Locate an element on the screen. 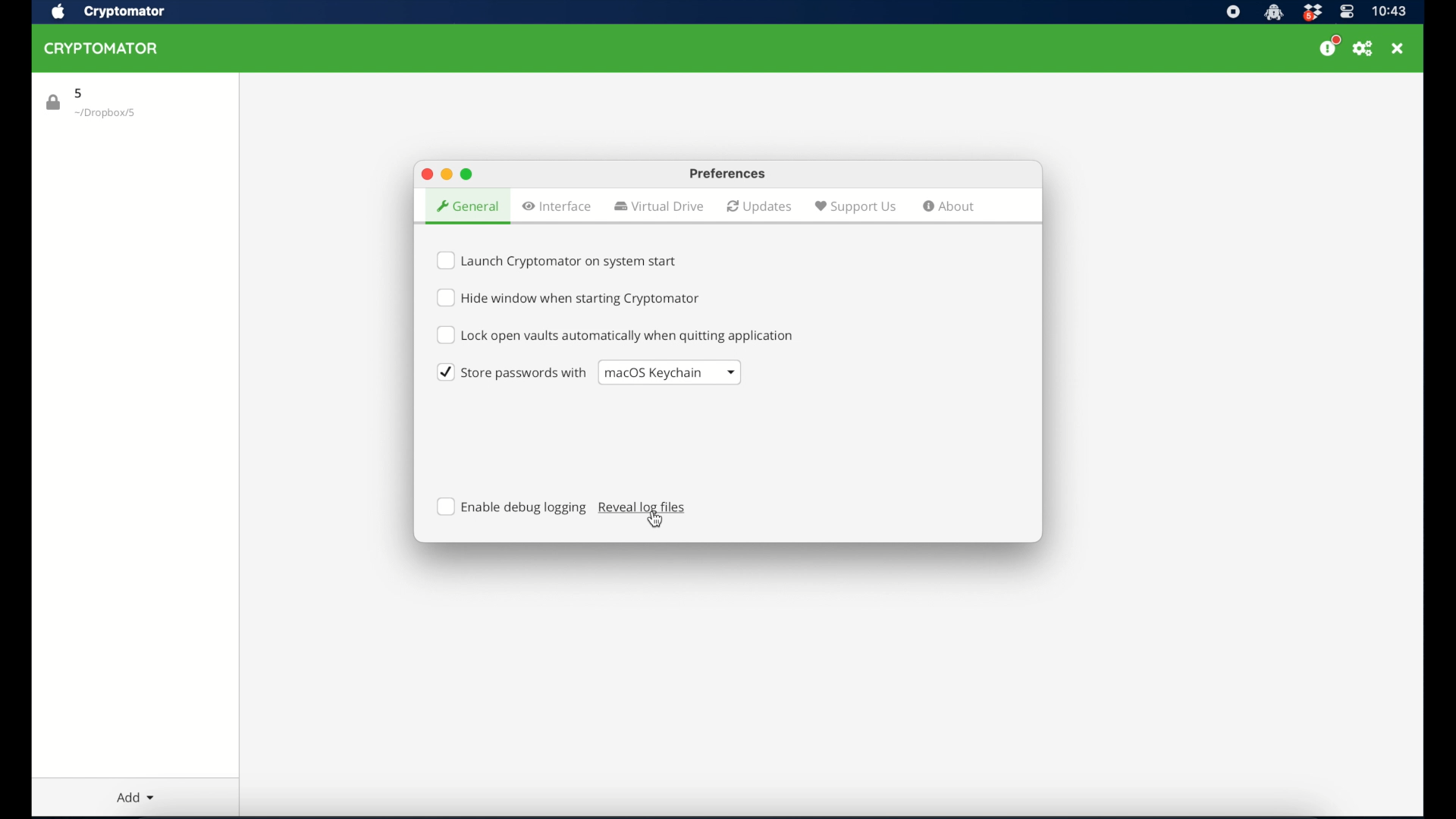 The width and height of the screenshot is (1456, 819). control center is located at coordinates (1347, 11).